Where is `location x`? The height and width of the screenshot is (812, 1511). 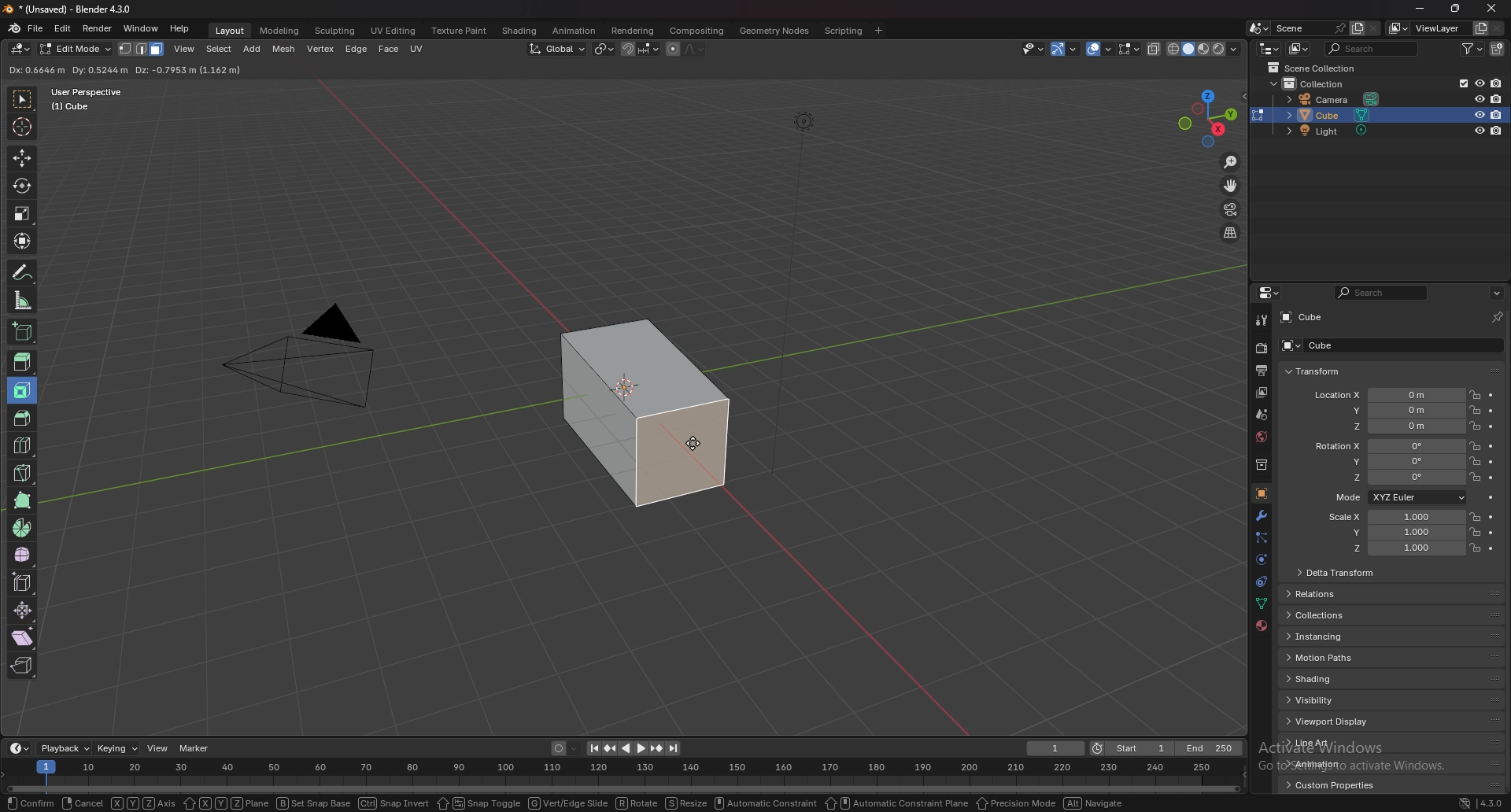
location x is located at coordinates (1388, 396).